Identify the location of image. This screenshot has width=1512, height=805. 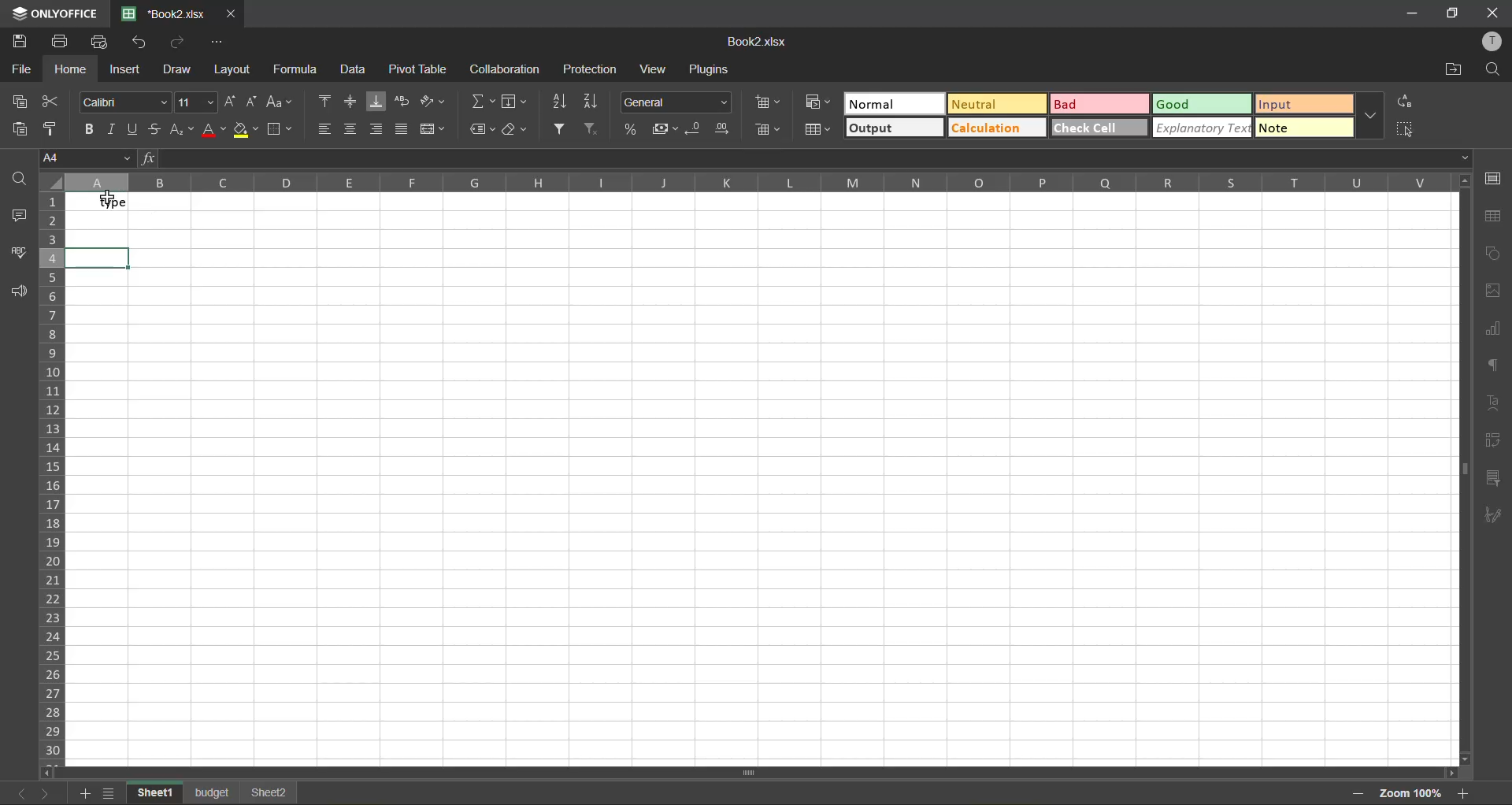
(1493, 291).